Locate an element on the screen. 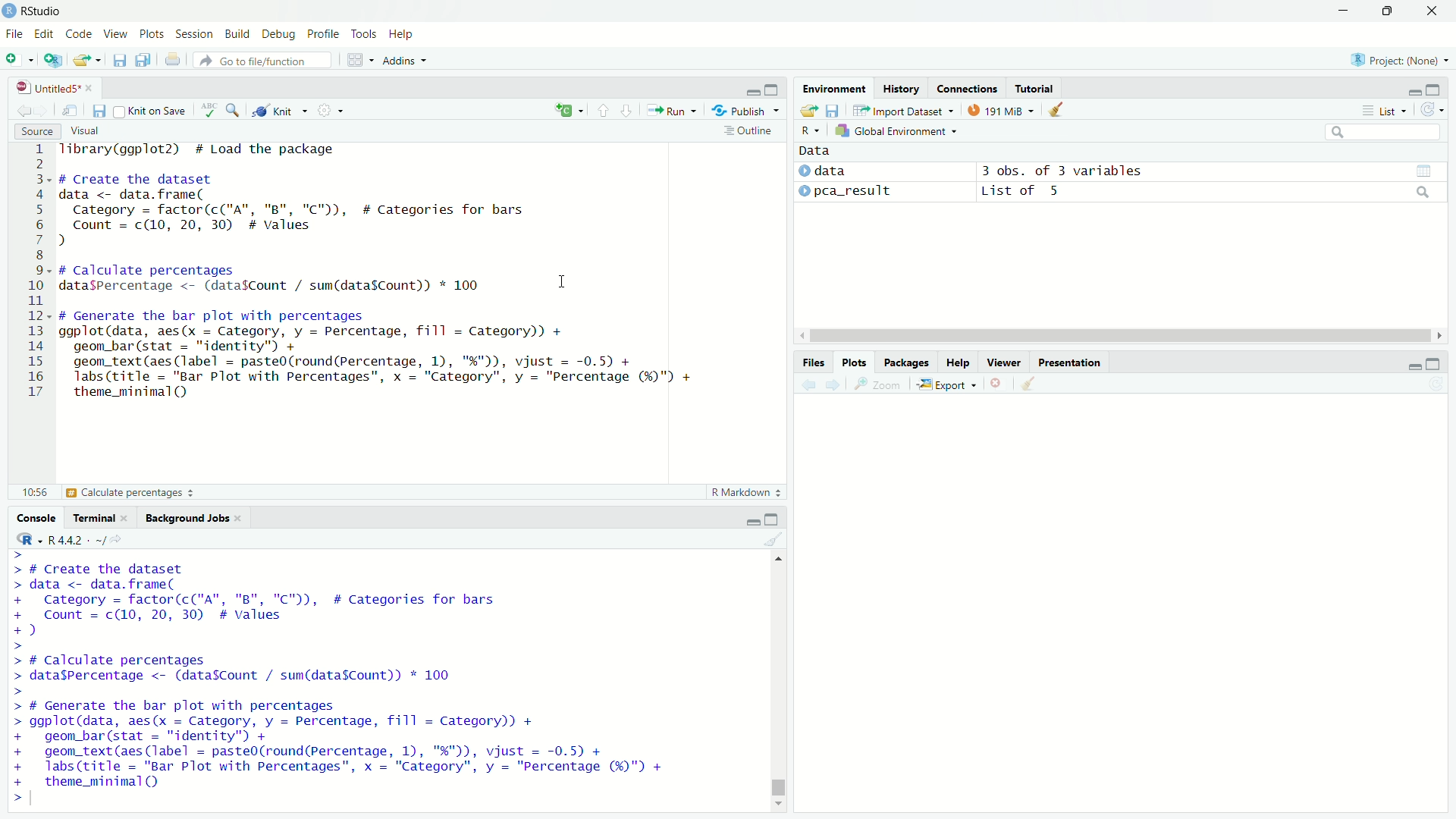  save all is located at coordinates (146, 60).